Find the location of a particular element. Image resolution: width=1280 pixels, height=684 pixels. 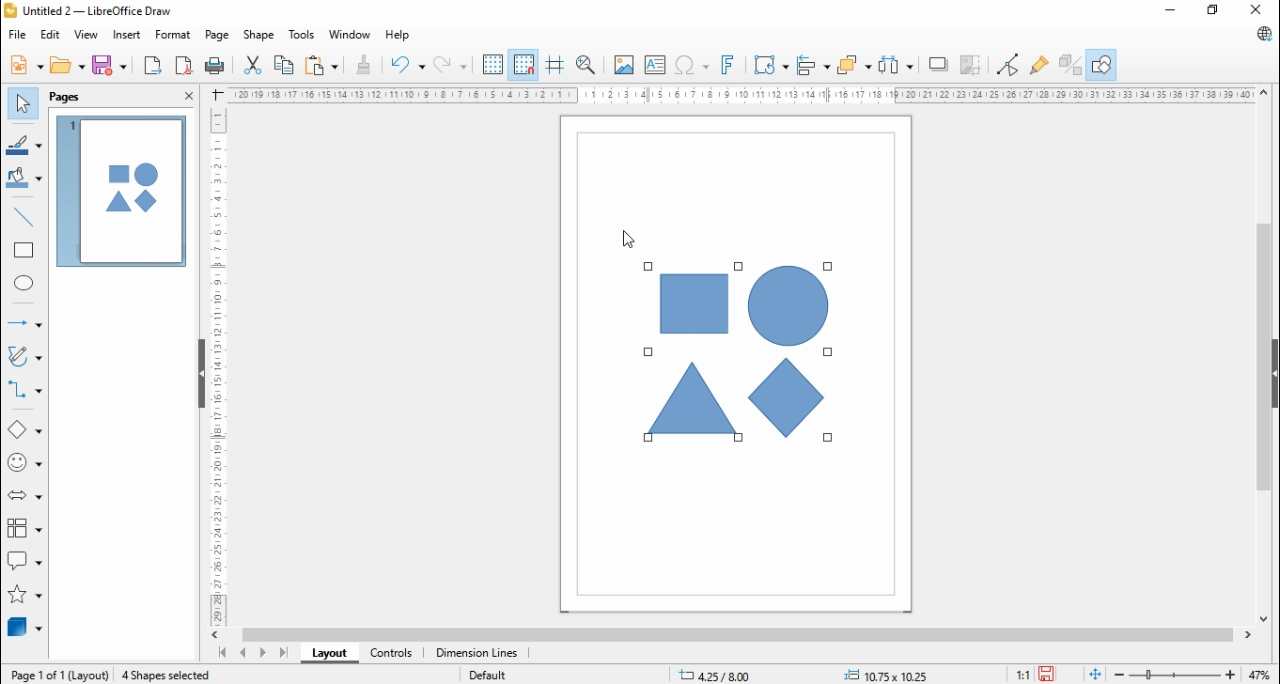

crop is located at coordinates (971, 66).